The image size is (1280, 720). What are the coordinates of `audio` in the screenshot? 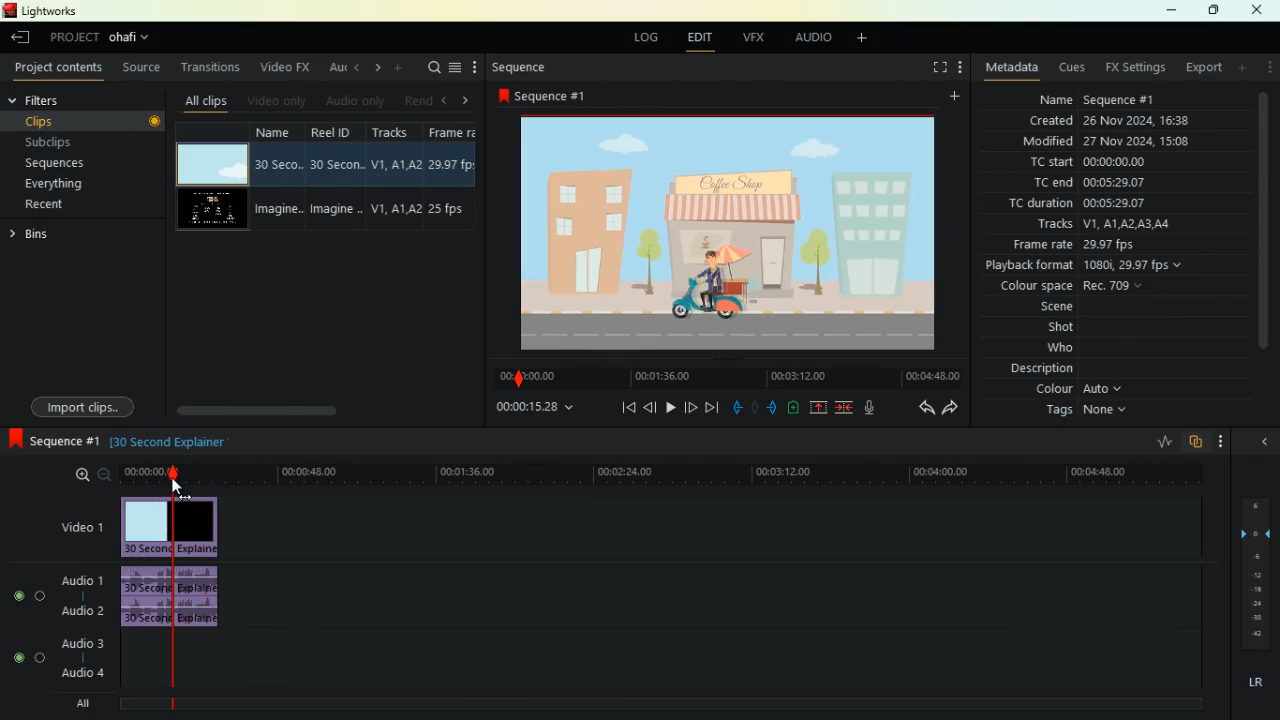 It's located at (175, 600).